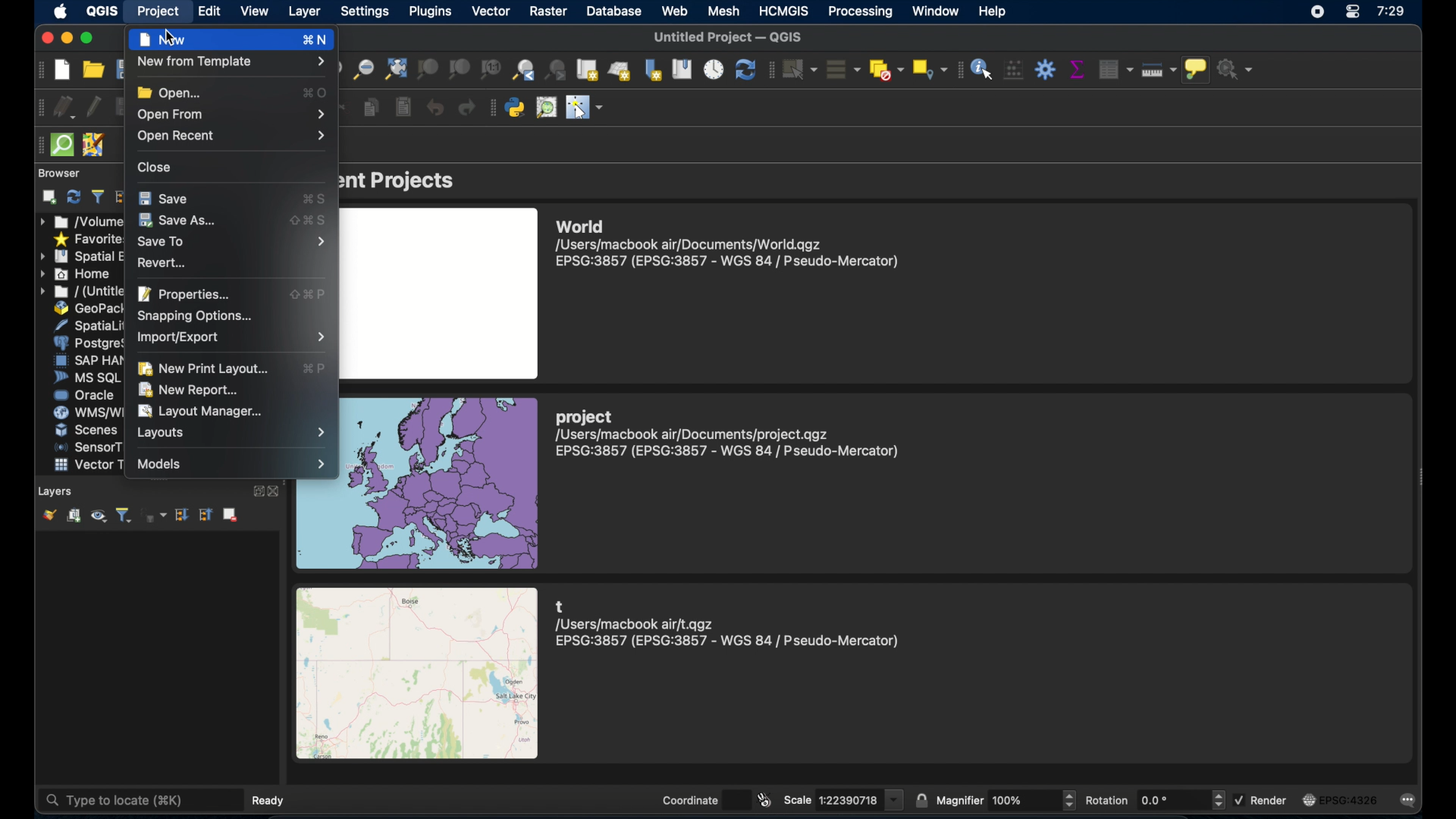 The height and width of the screenshot is (819, 1456). What do you see at coordinates (843, 70) in the screenshot?
I see `select all features` at bounding box center [843, 70].